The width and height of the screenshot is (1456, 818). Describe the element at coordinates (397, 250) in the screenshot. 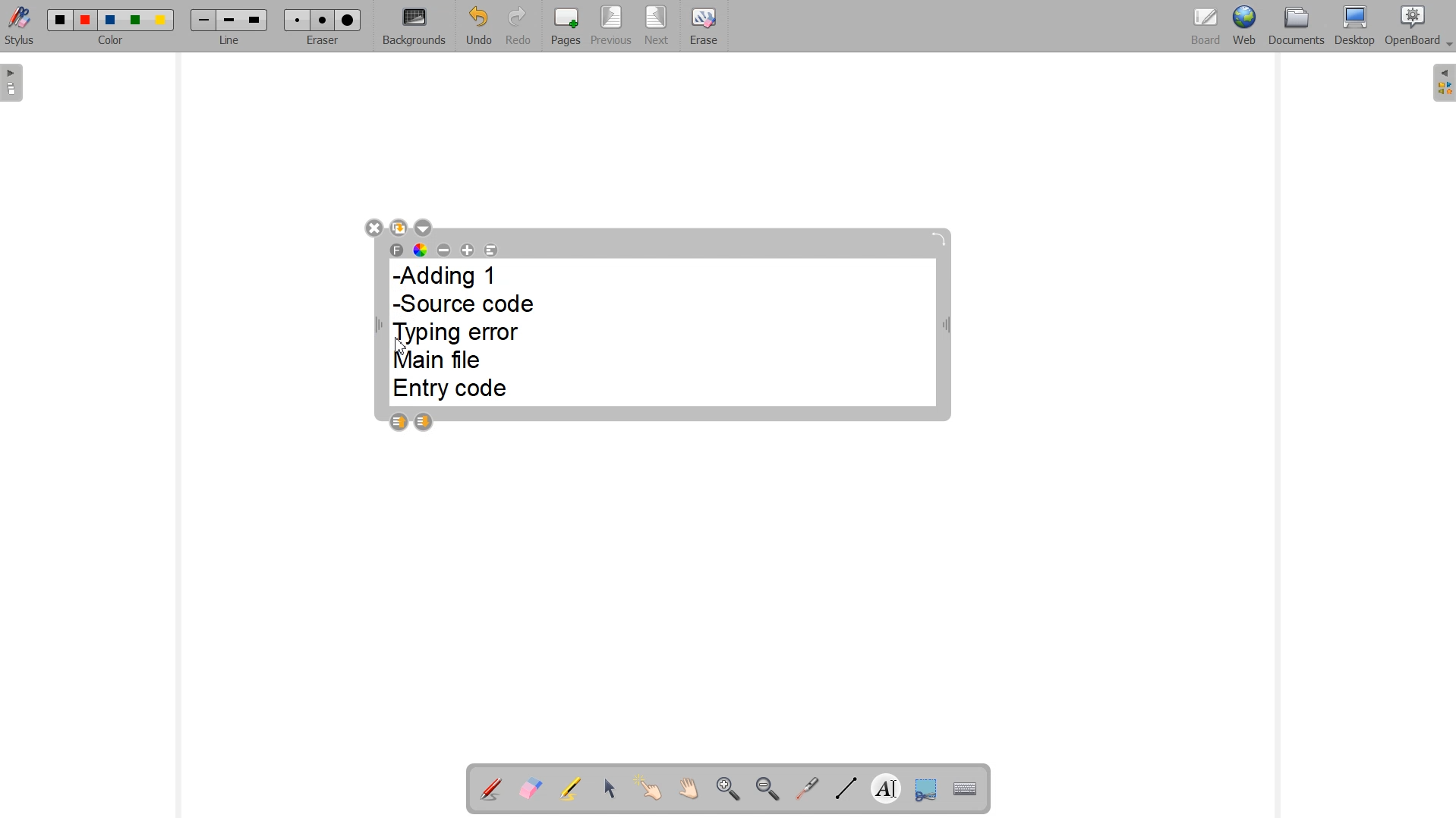

I see `Select font` at that location.